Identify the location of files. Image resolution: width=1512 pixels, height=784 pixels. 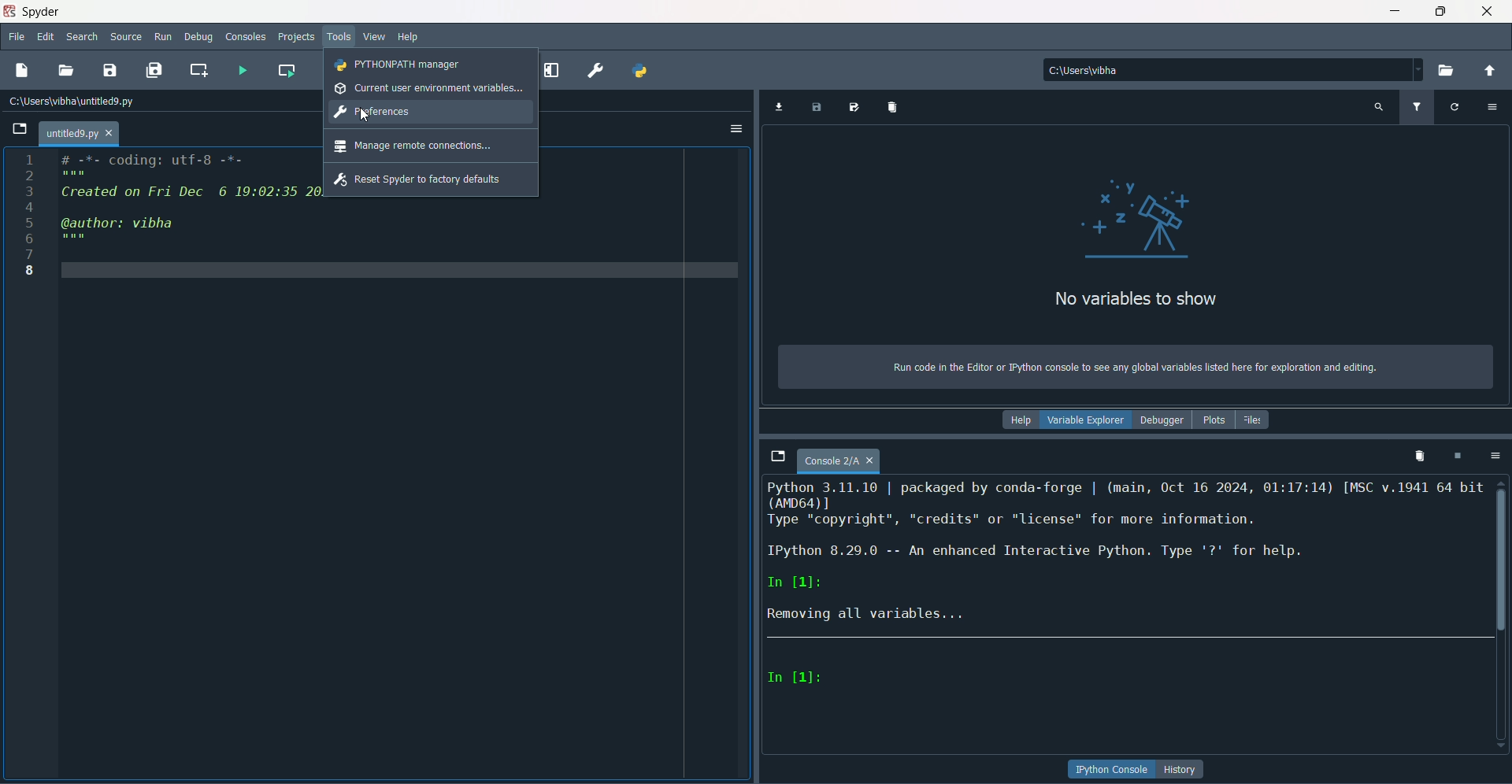
(1254, 420).